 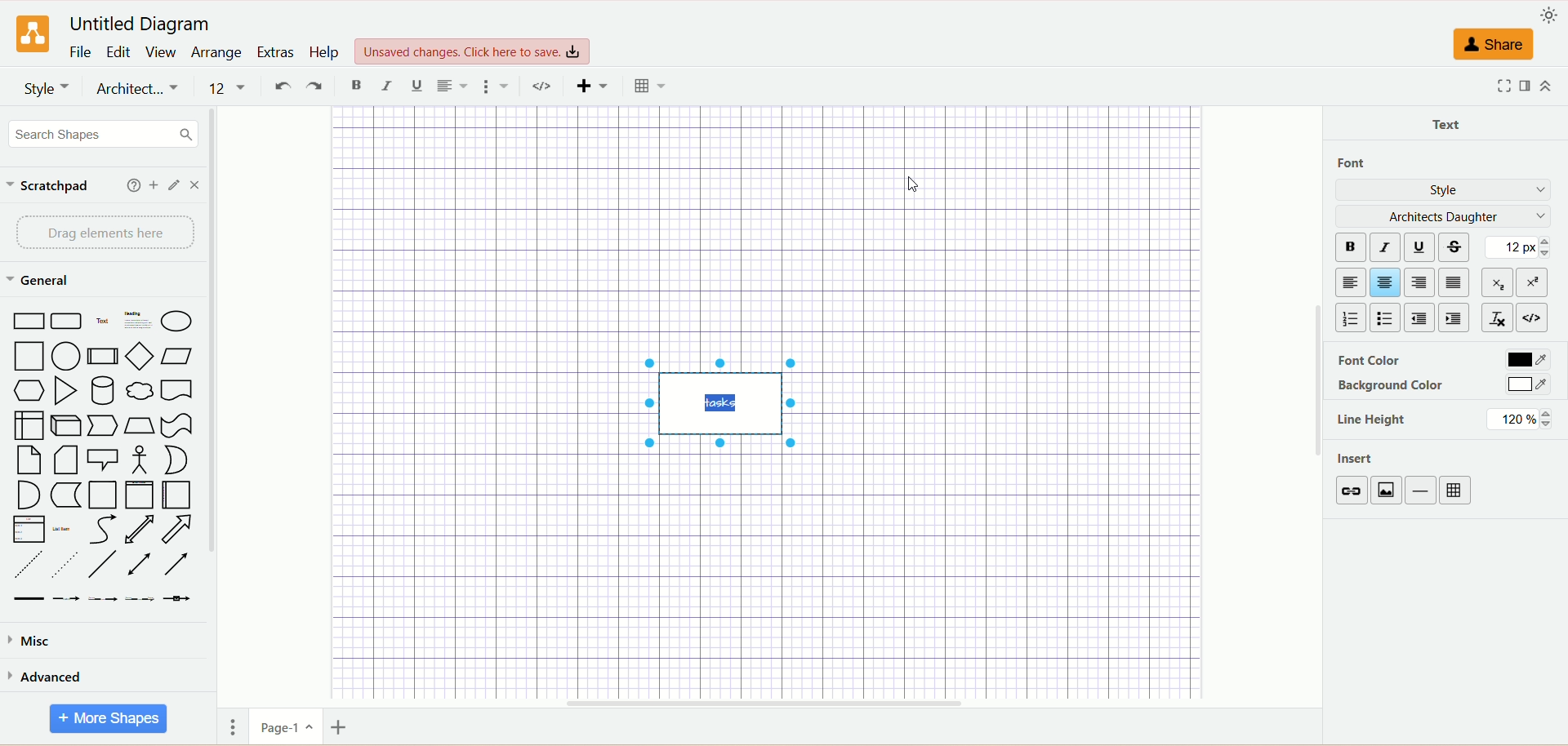 I want to click on Box, so click(x=29, y=425).